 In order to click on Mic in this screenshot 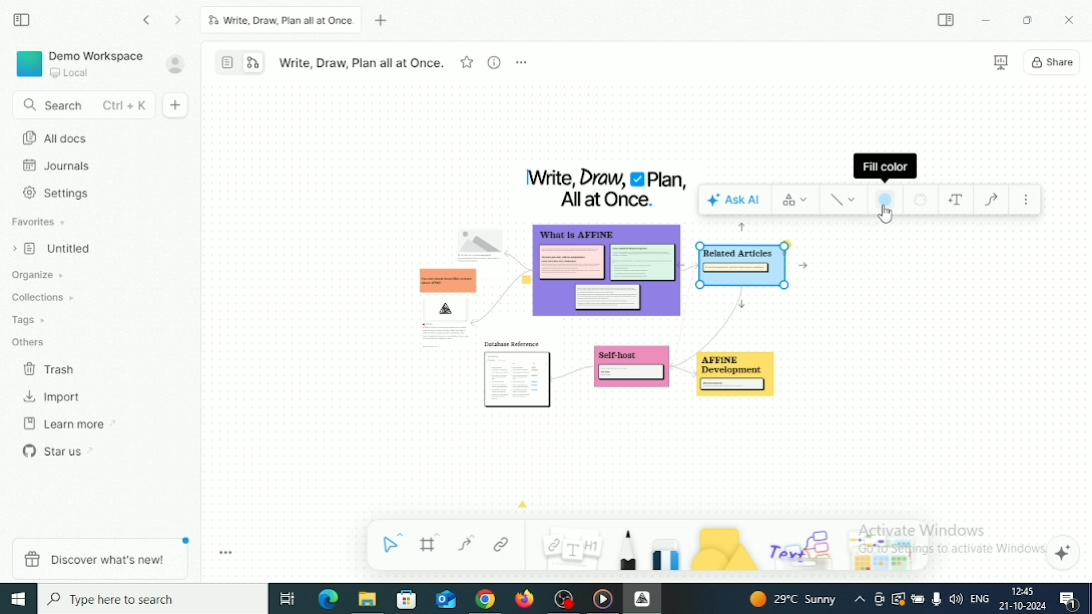, I will do `click(936, 600)`.